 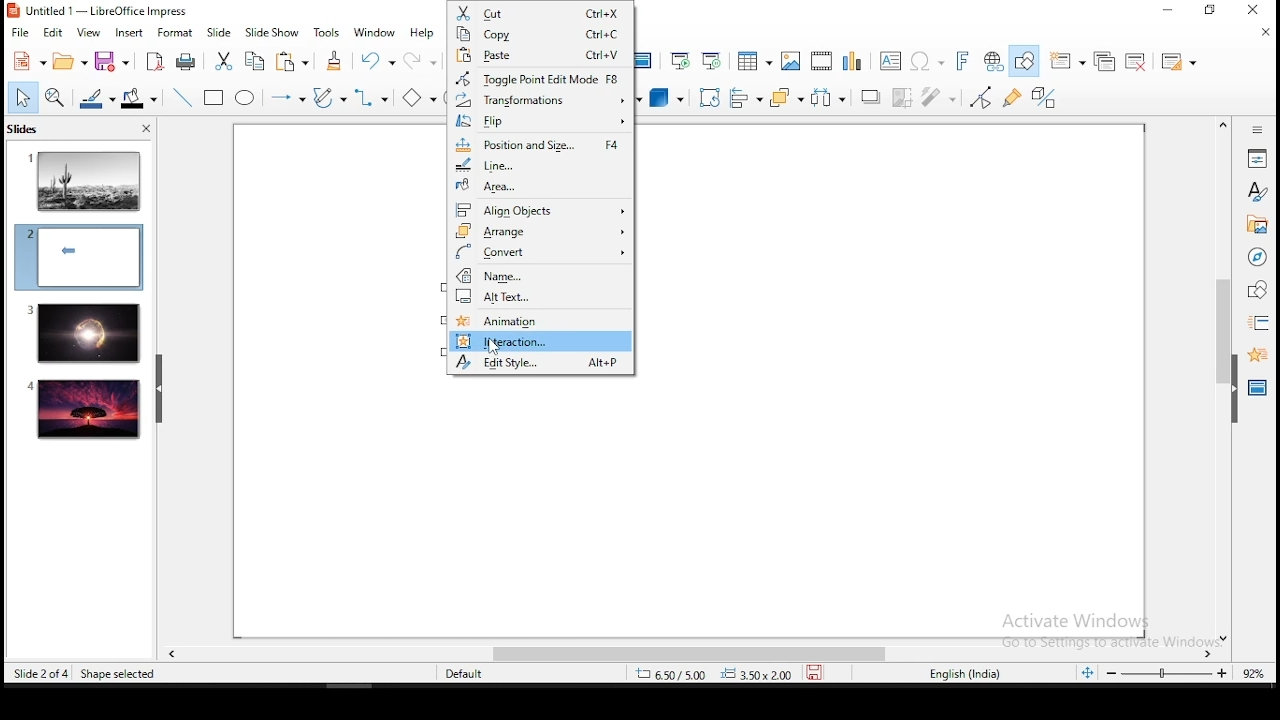 I want to click on flip, so click(x=542, y=120).